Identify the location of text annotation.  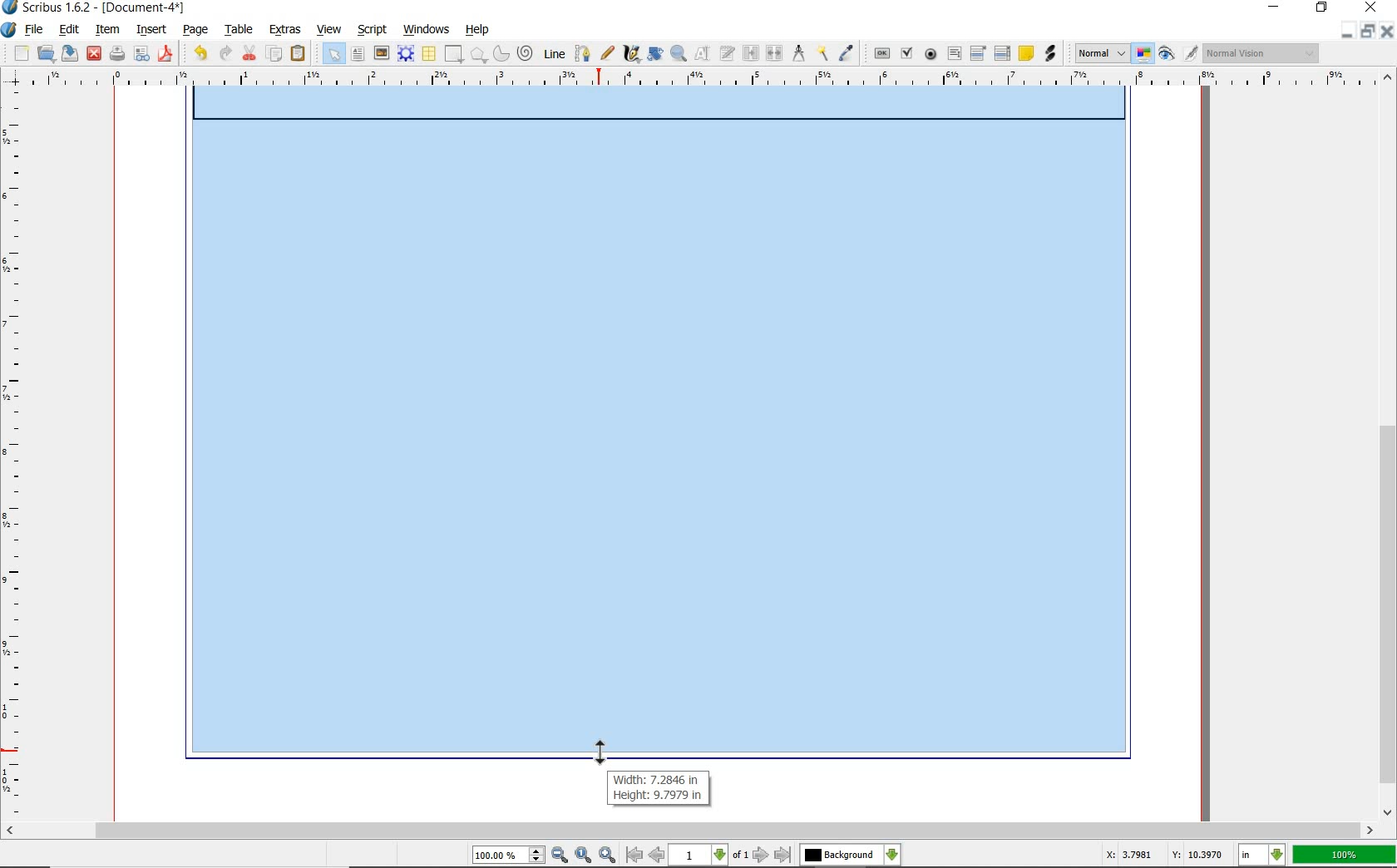
(1026, 53).